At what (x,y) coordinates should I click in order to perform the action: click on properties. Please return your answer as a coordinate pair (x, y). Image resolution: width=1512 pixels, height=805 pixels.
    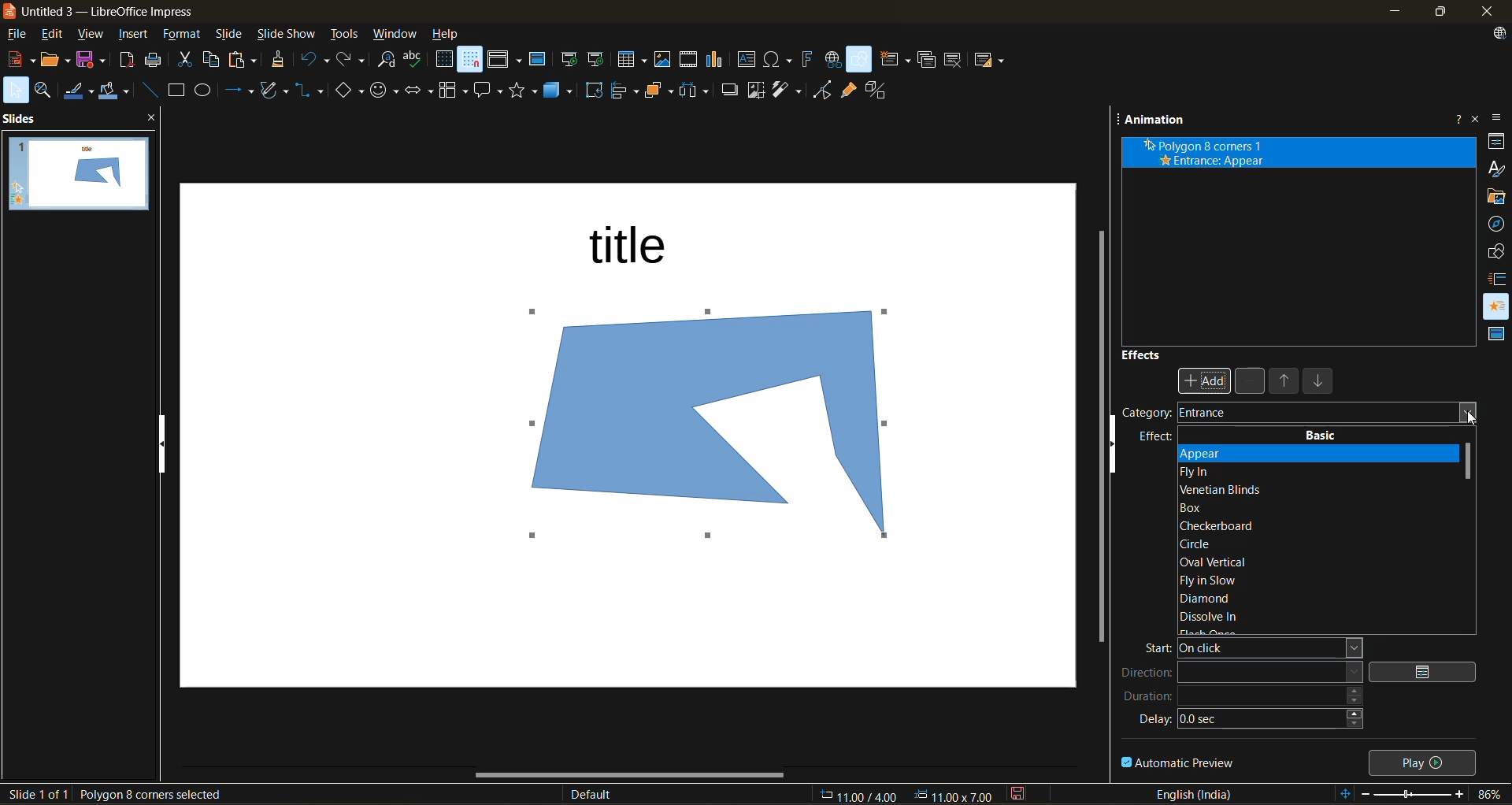
    Looking at the image, I should click on (1495, 140).